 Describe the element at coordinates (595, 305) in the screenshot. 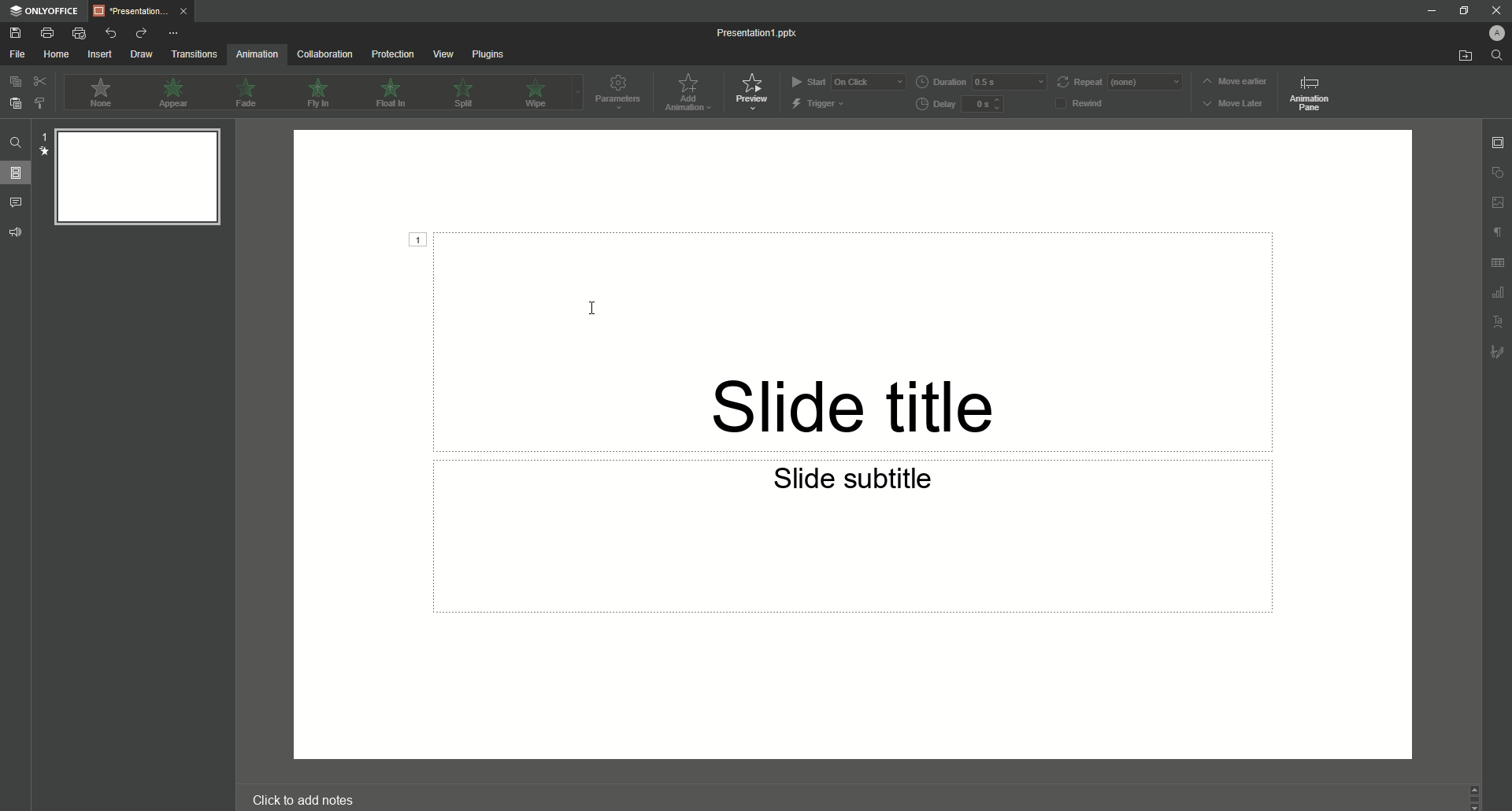

I see `Cursor` at that location.